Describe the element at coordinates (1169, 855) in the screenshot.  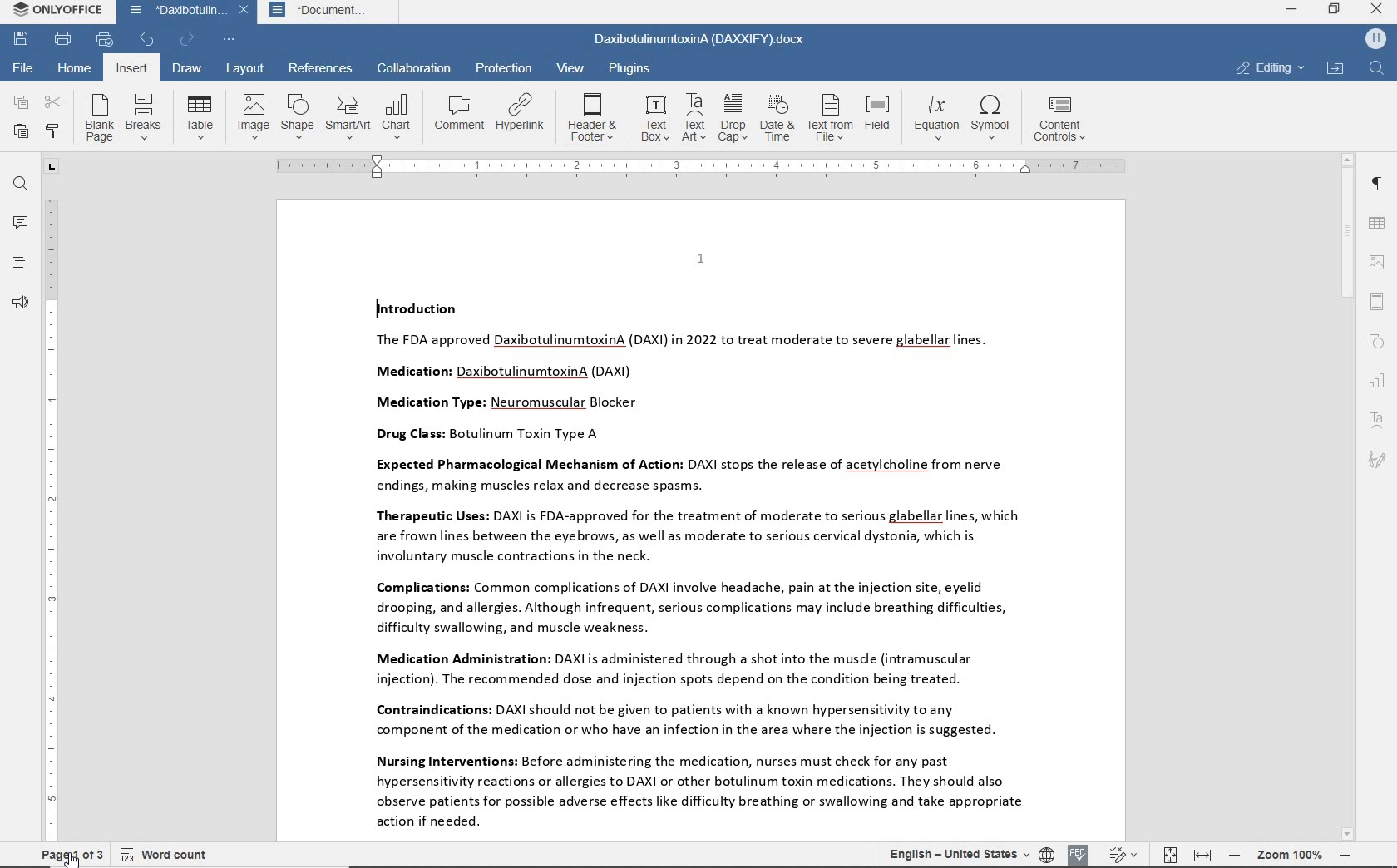
I see `fit to page` at that location.